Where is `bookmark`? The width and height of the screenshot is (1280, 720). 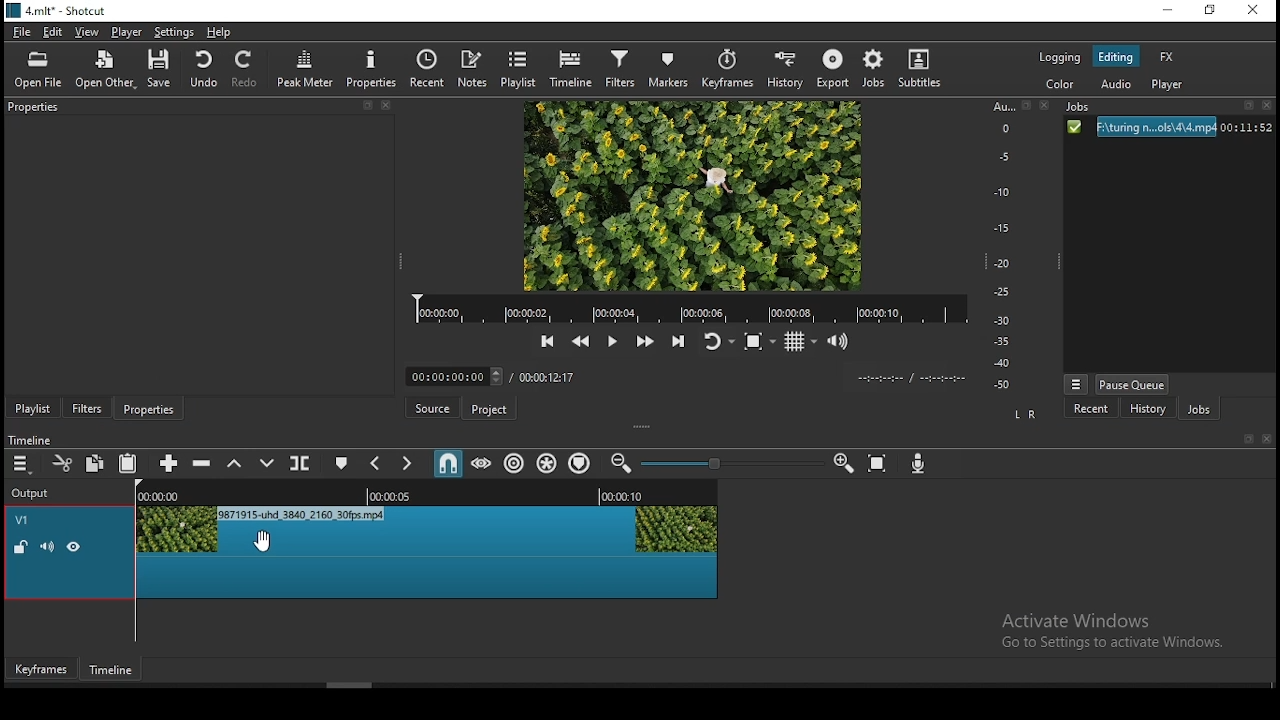 bookmark is located at coordinates (1249, 108).